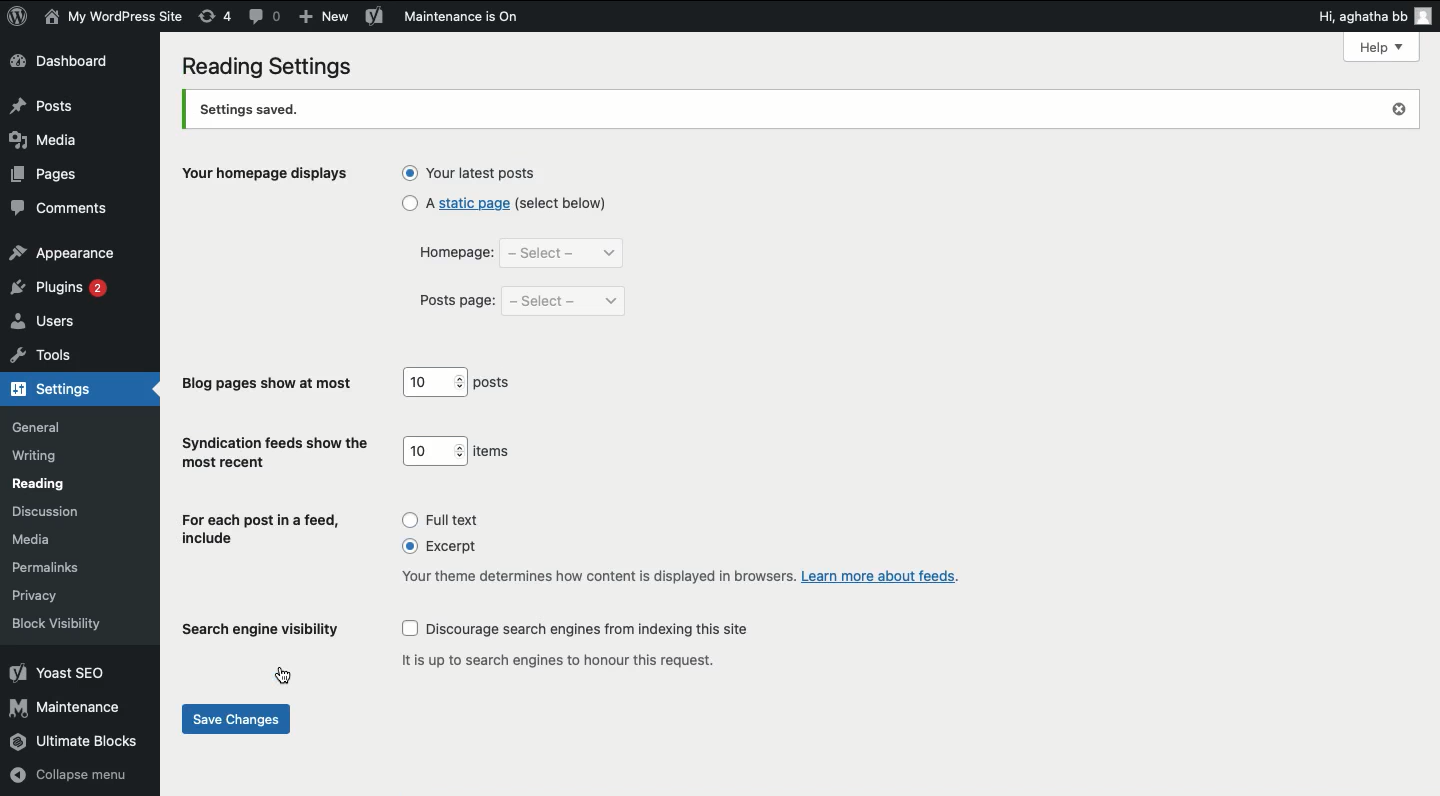 This screenshot has width=1440, height=796. Describe the element at coordinates (564, 301) in the screenshot. I see `select` at that location.